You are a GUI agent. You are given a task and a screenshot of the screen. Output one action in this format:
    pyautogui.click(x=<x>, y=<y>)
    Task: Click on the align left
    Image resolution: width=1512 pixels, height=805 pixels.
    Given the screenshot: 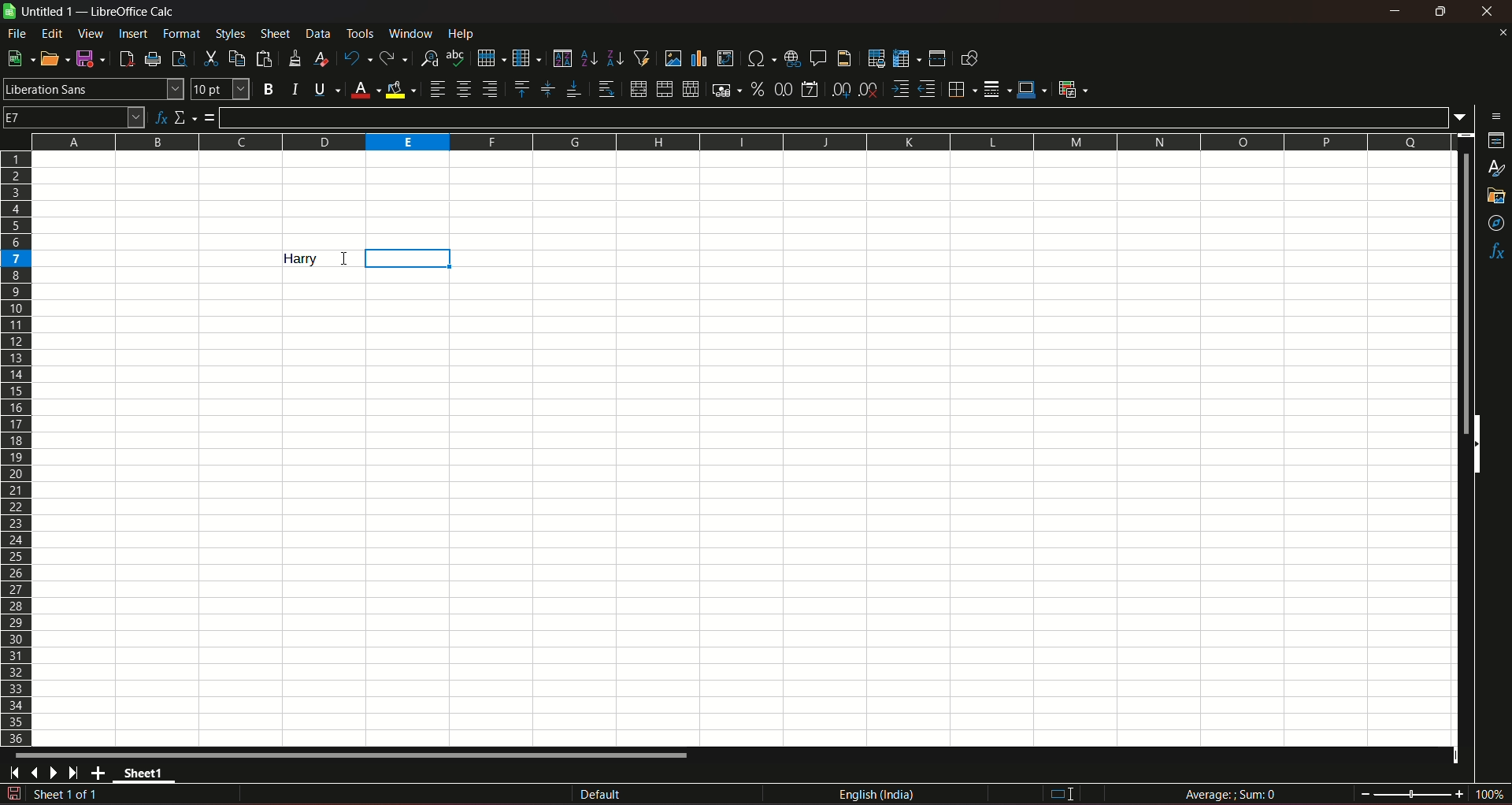 What is the action you would take?
    pyautogui.click(x=437, y=89)
    